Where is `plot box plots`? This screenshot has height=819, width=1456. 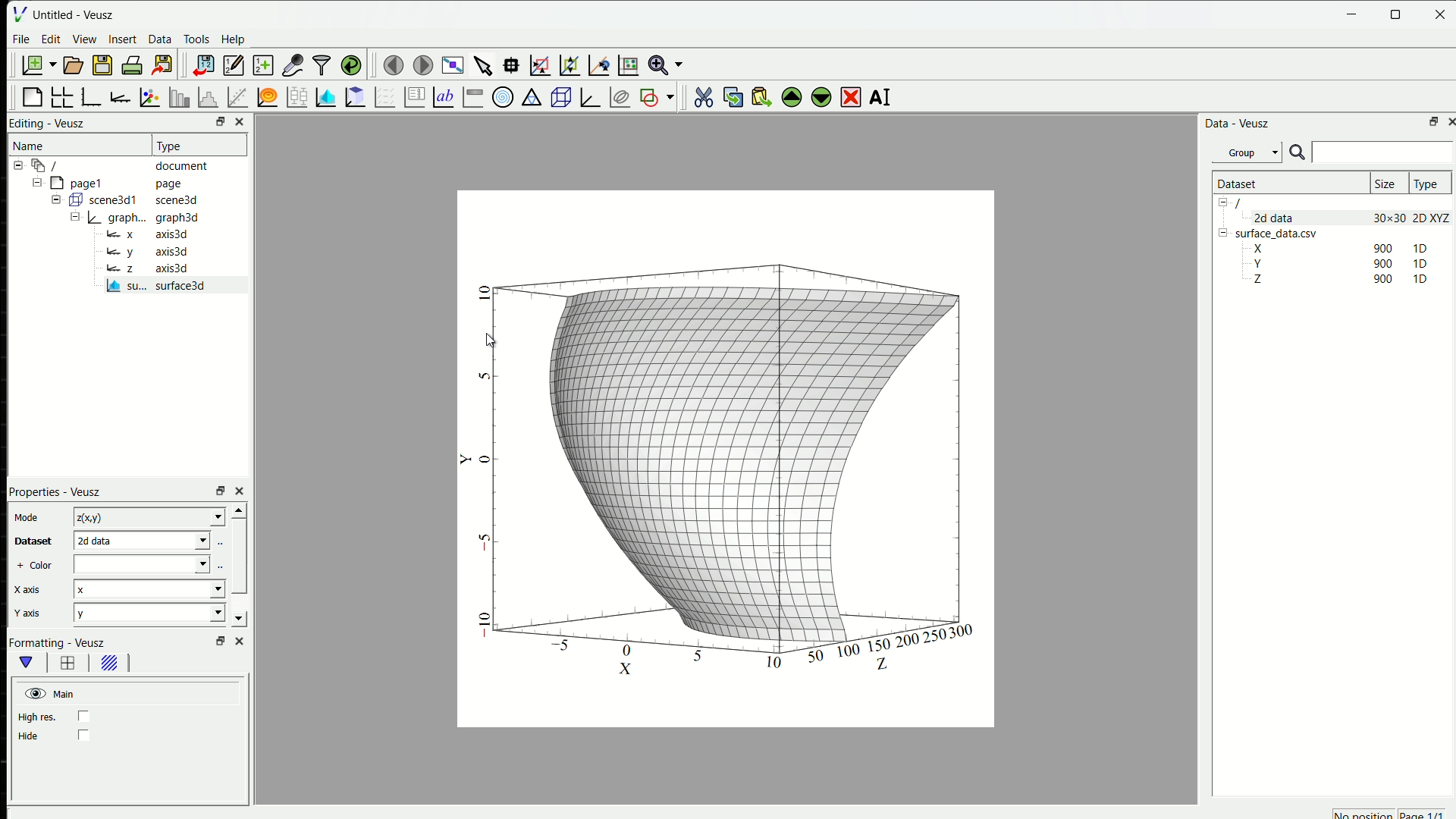
plot box plots is located at coordinates (298, 96).